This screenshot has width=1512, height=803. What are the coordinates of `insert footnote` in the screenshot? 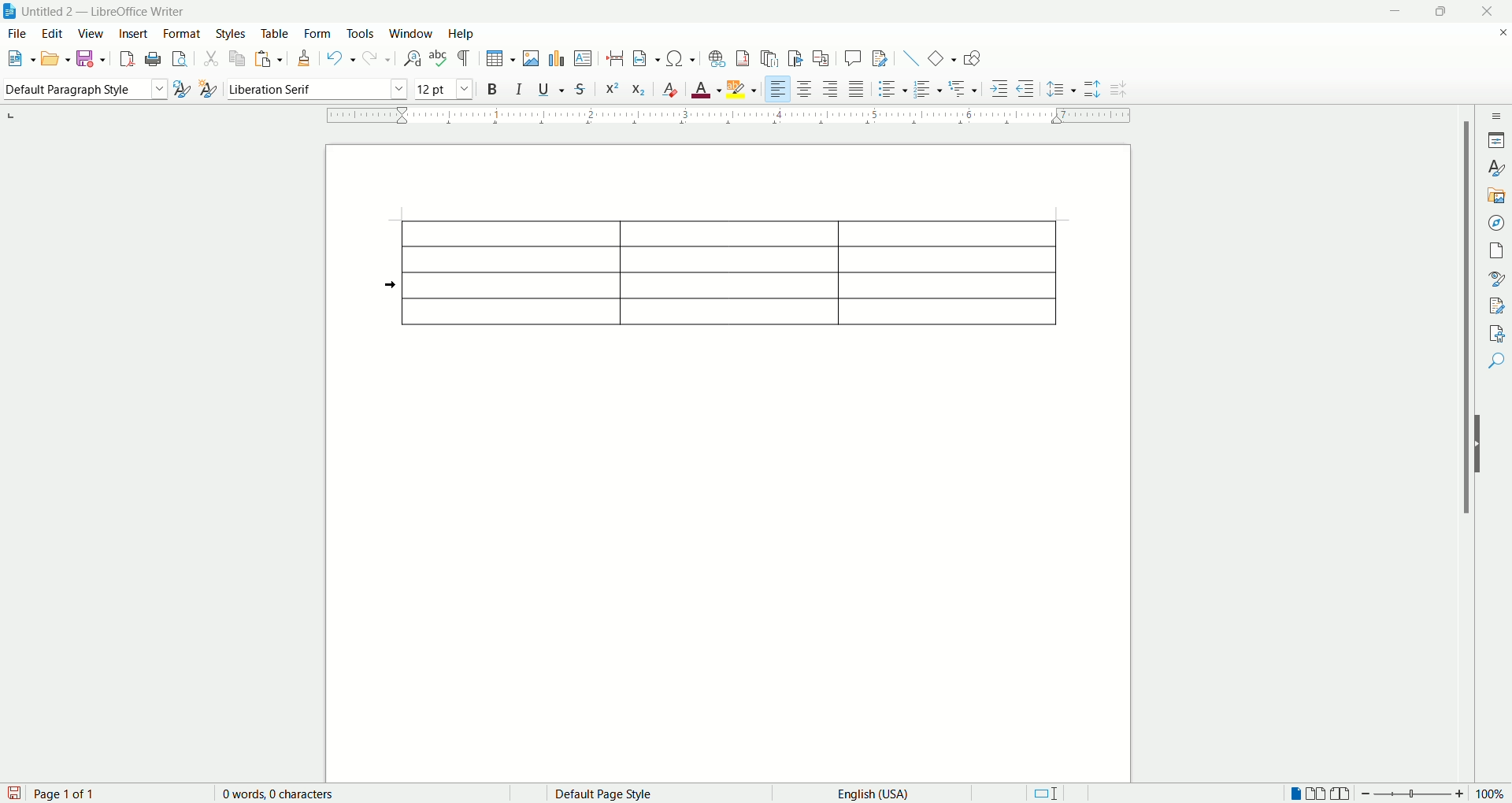 It's located at (743, 57).